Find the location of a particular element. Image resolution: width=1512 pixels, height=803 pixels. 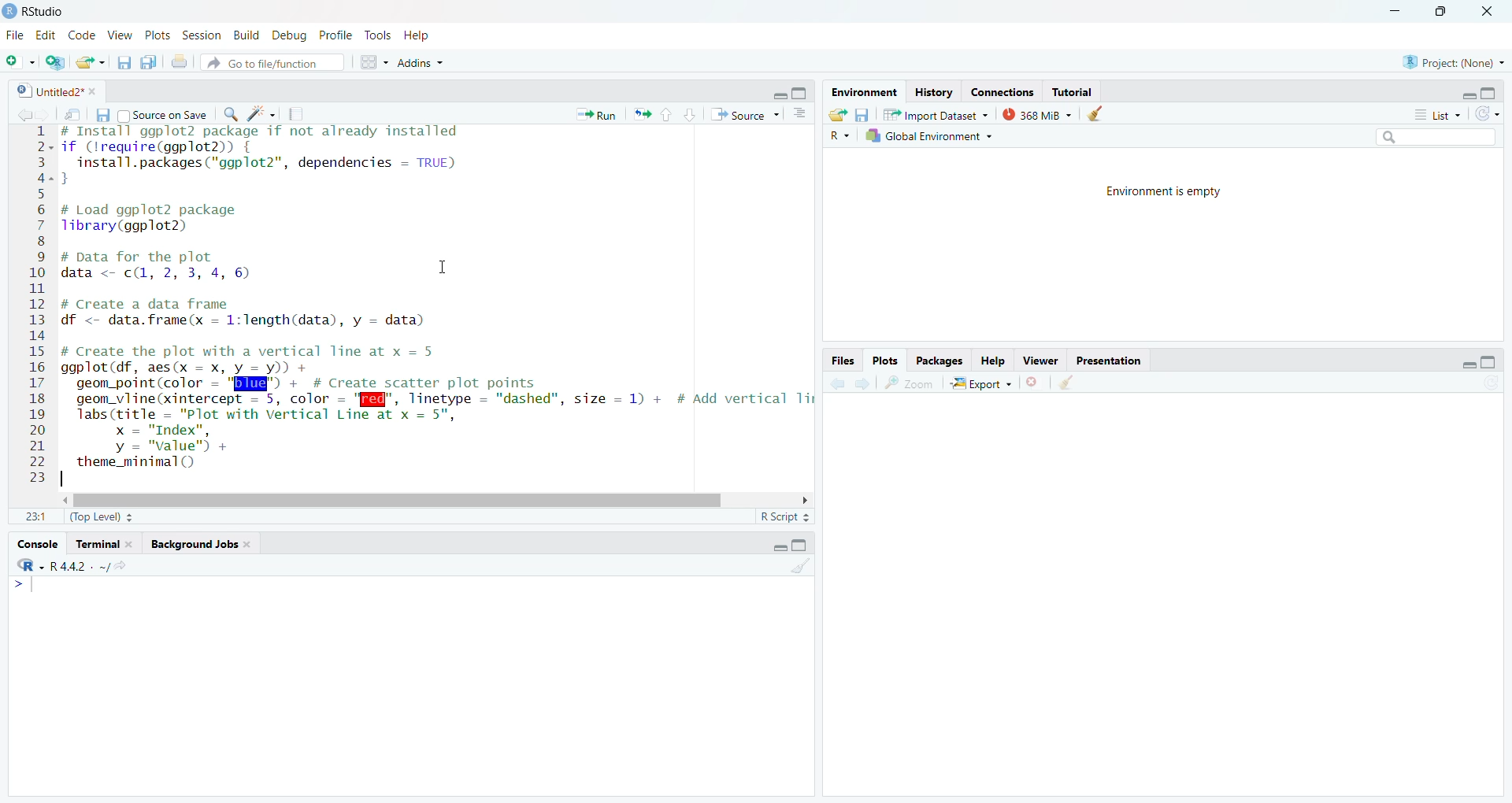

| Export ~ is located at coordinates (983, 385).